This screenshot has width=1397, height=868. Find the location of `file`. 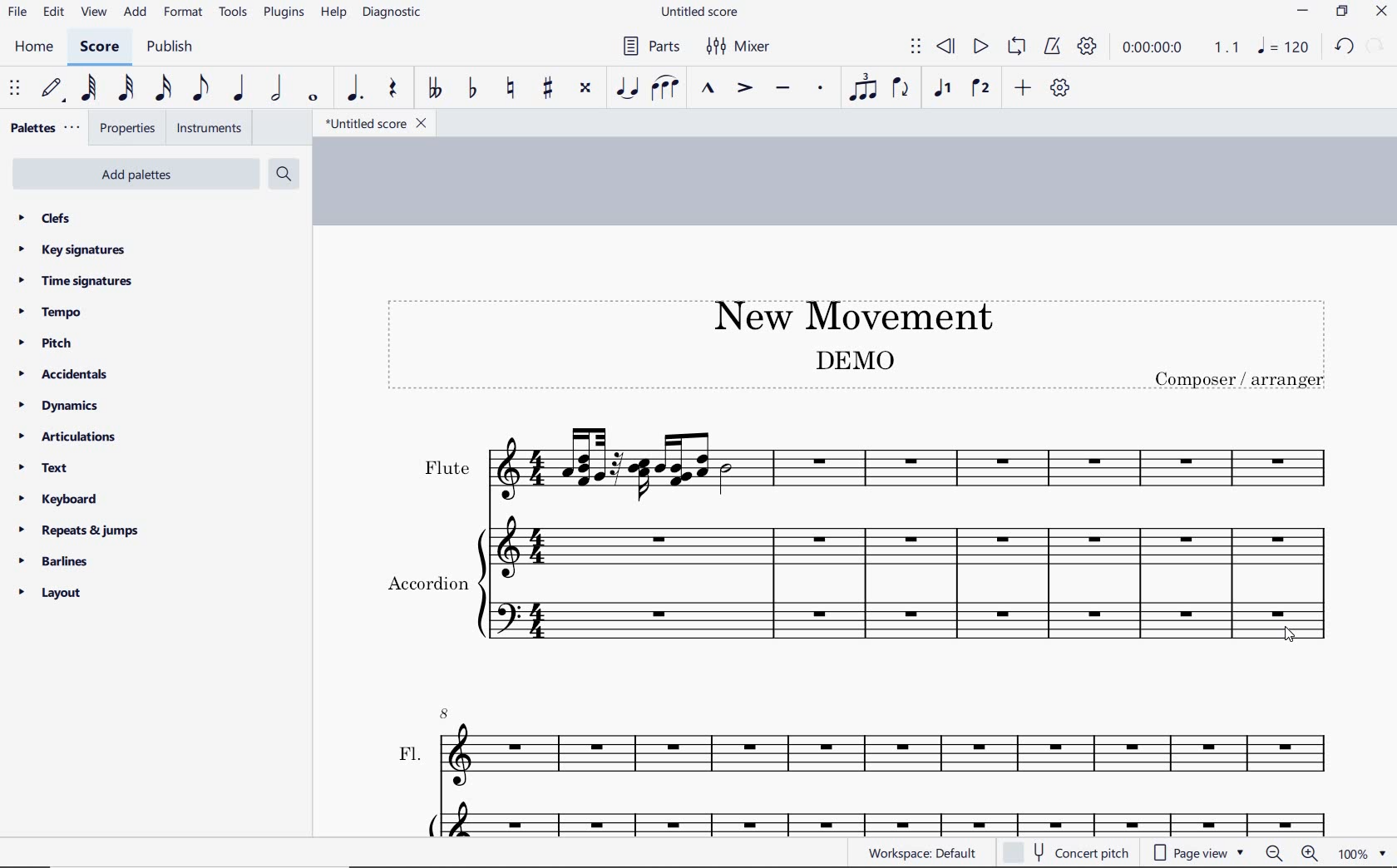

file is located at coordinates (17, 15).